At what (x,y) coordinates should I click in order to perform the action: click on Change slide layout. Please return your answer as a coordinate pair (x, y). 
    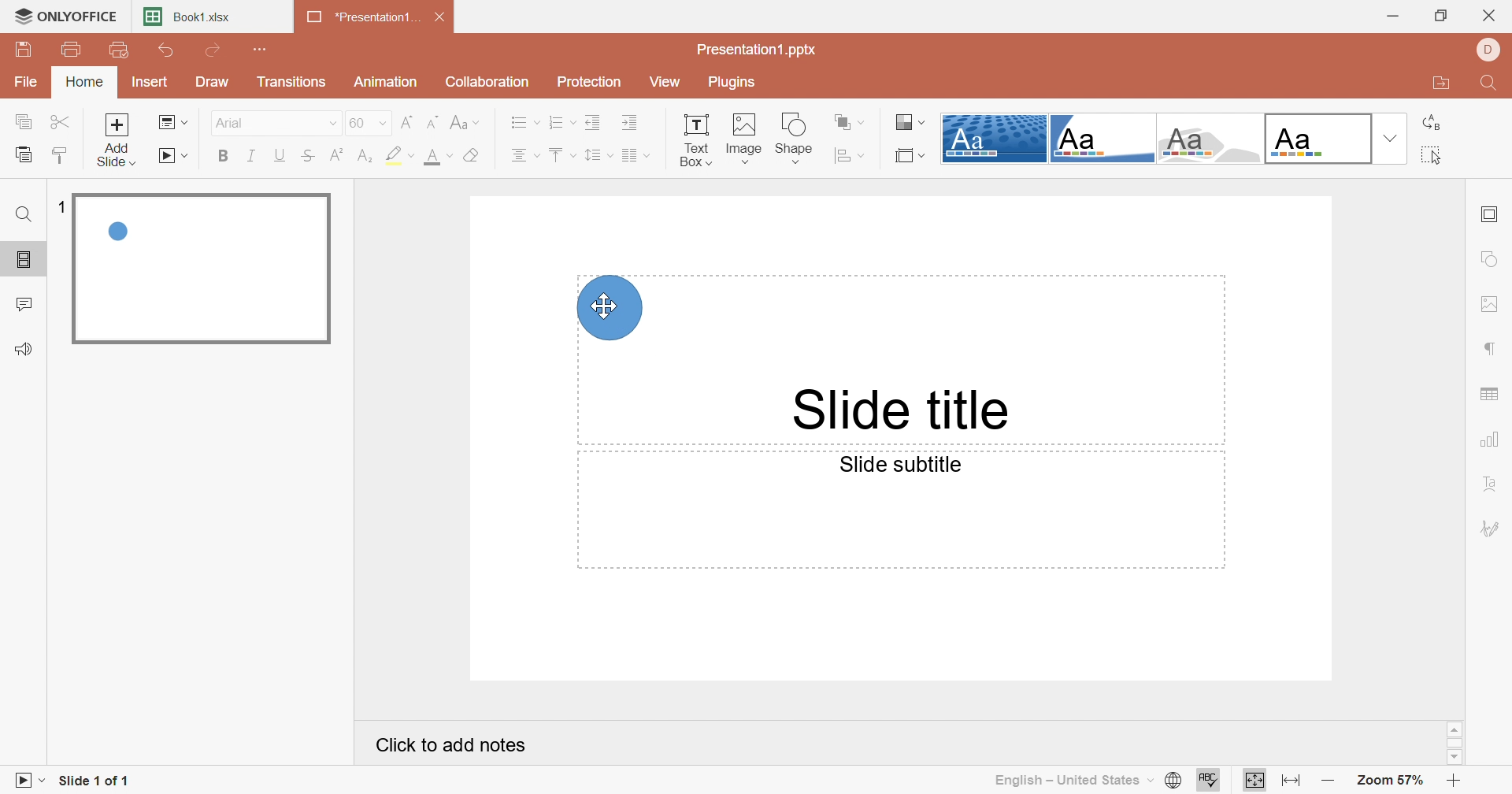
    Looking at the image, I should click on (172, 121).